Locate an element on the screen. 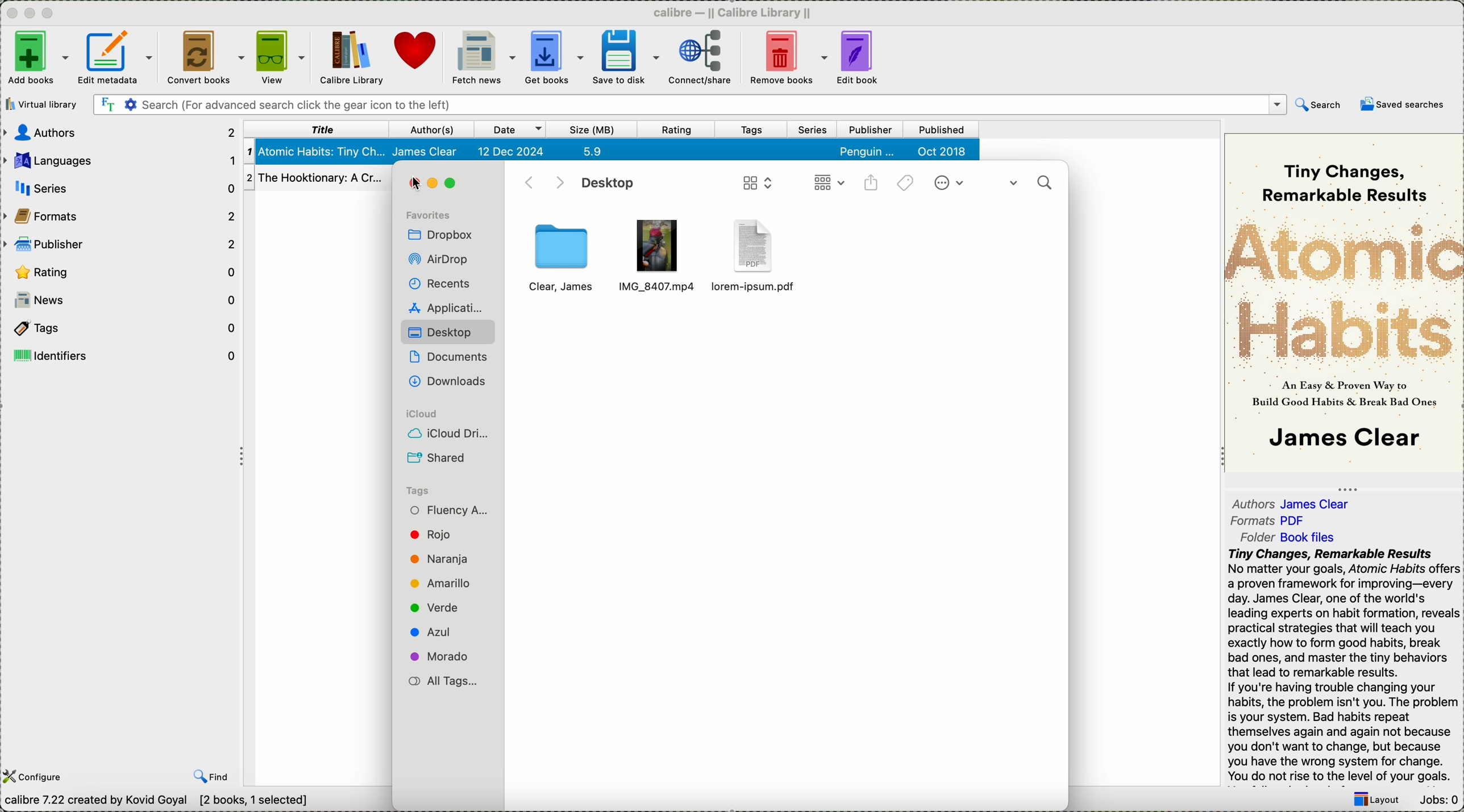 Image resolution: width=1464 pixels, height=812 pixels. icloud is located at coordinates (444, 409).